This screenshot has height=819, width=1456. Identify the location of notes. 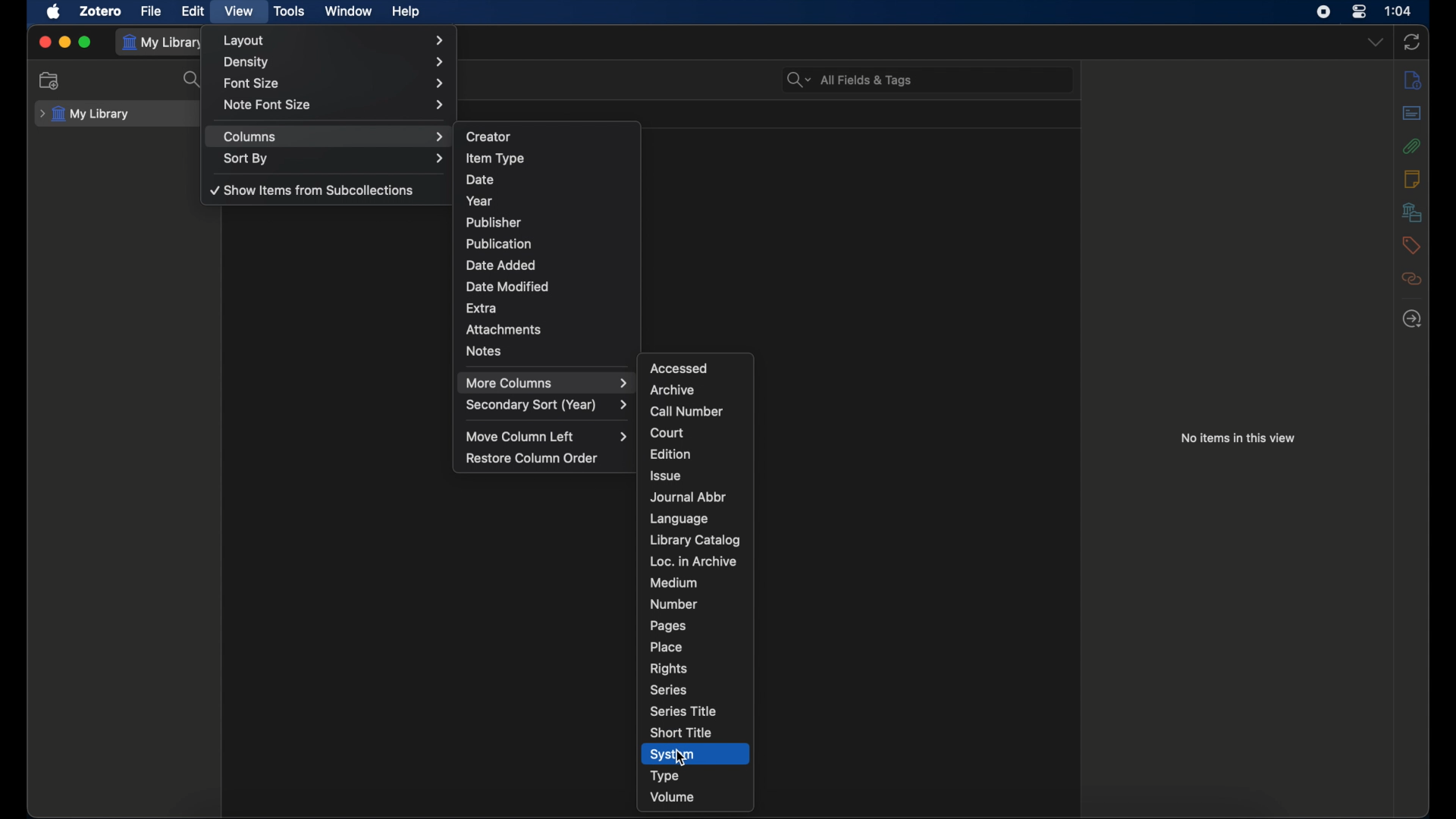
(1412, 179).